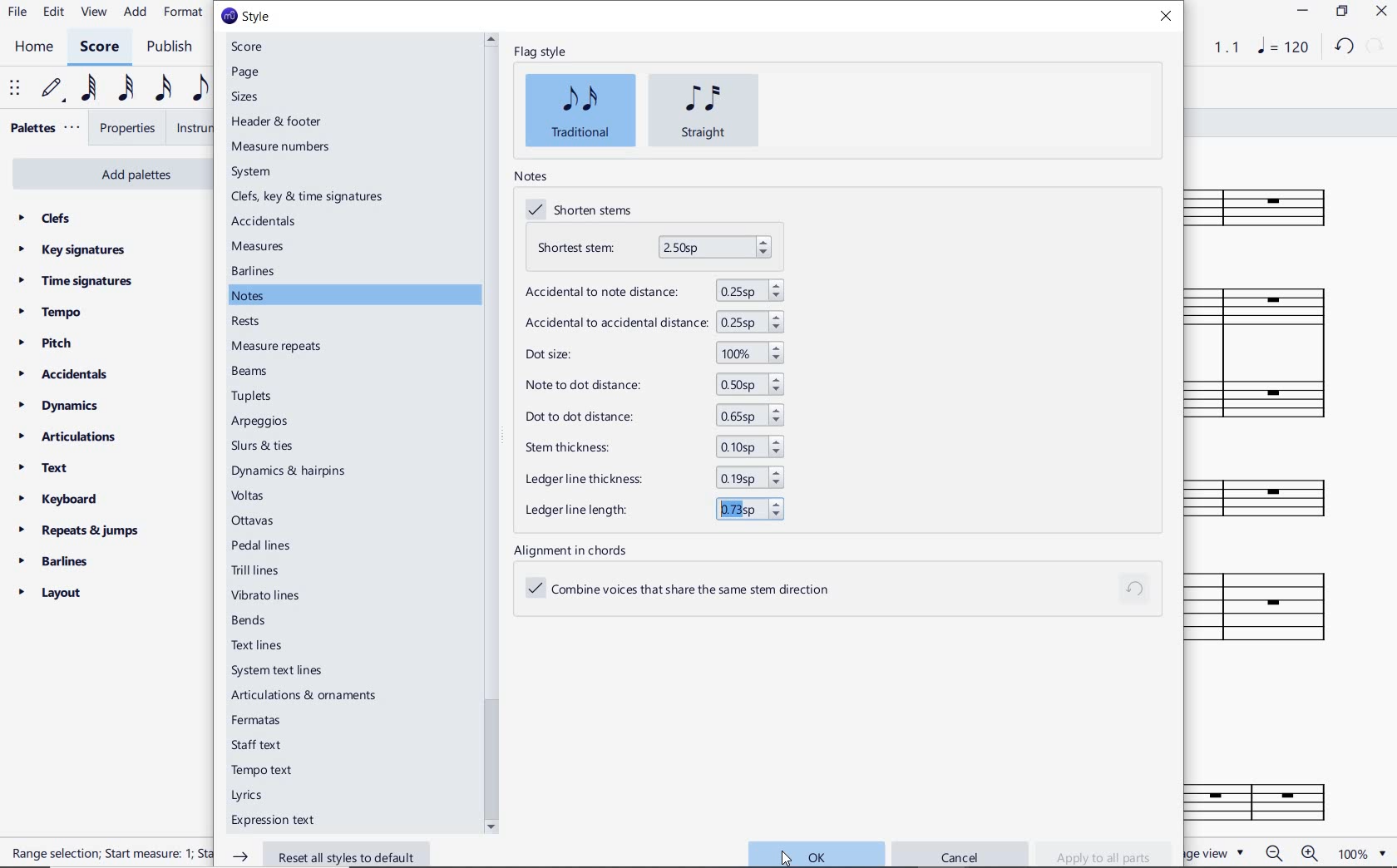  What do you see at coordinates (269, 595) in the screenshot?
I see `vibrato lines` at bounding box center [269, 595].